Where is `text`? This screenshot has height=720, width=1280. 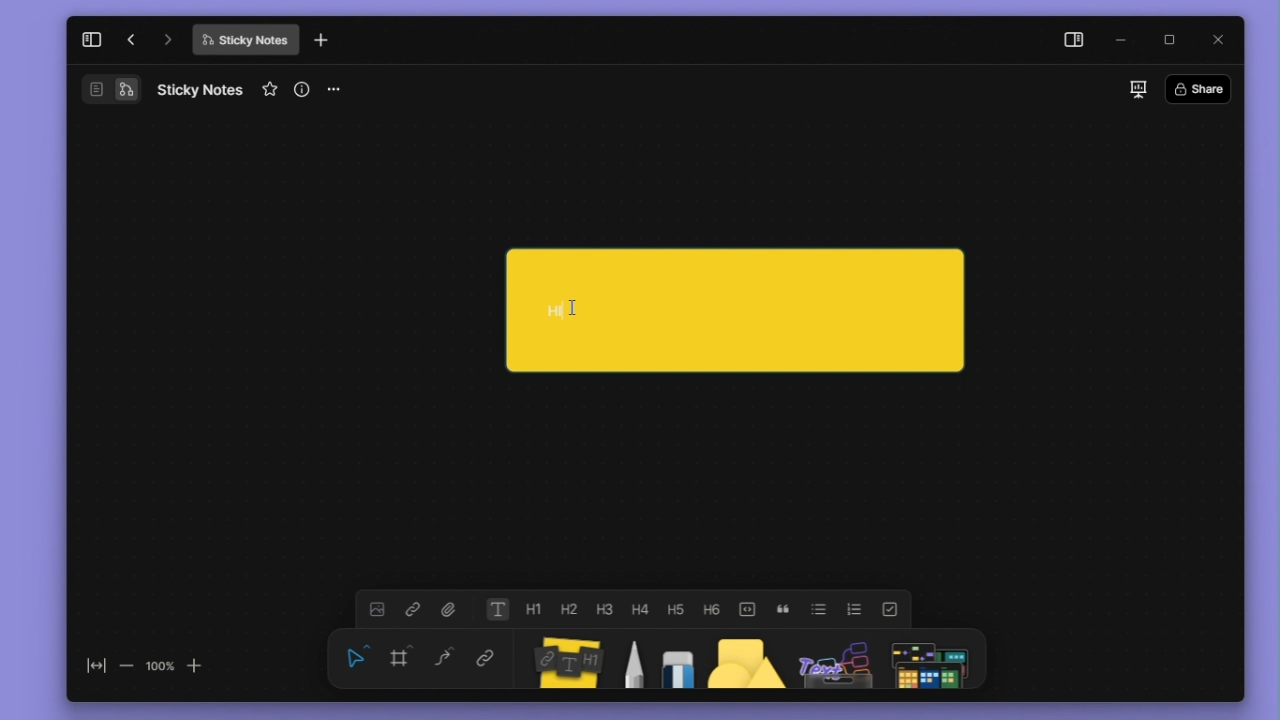 text is located at coordinates (501, 609).